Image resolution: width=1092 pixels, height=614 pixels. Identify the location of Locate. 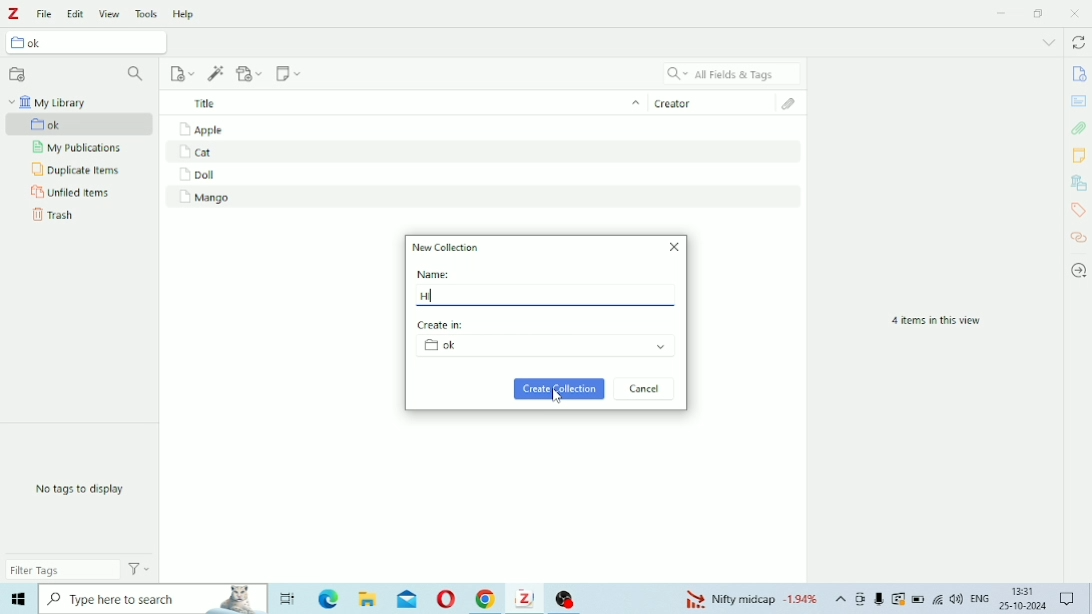
(1079, 271).